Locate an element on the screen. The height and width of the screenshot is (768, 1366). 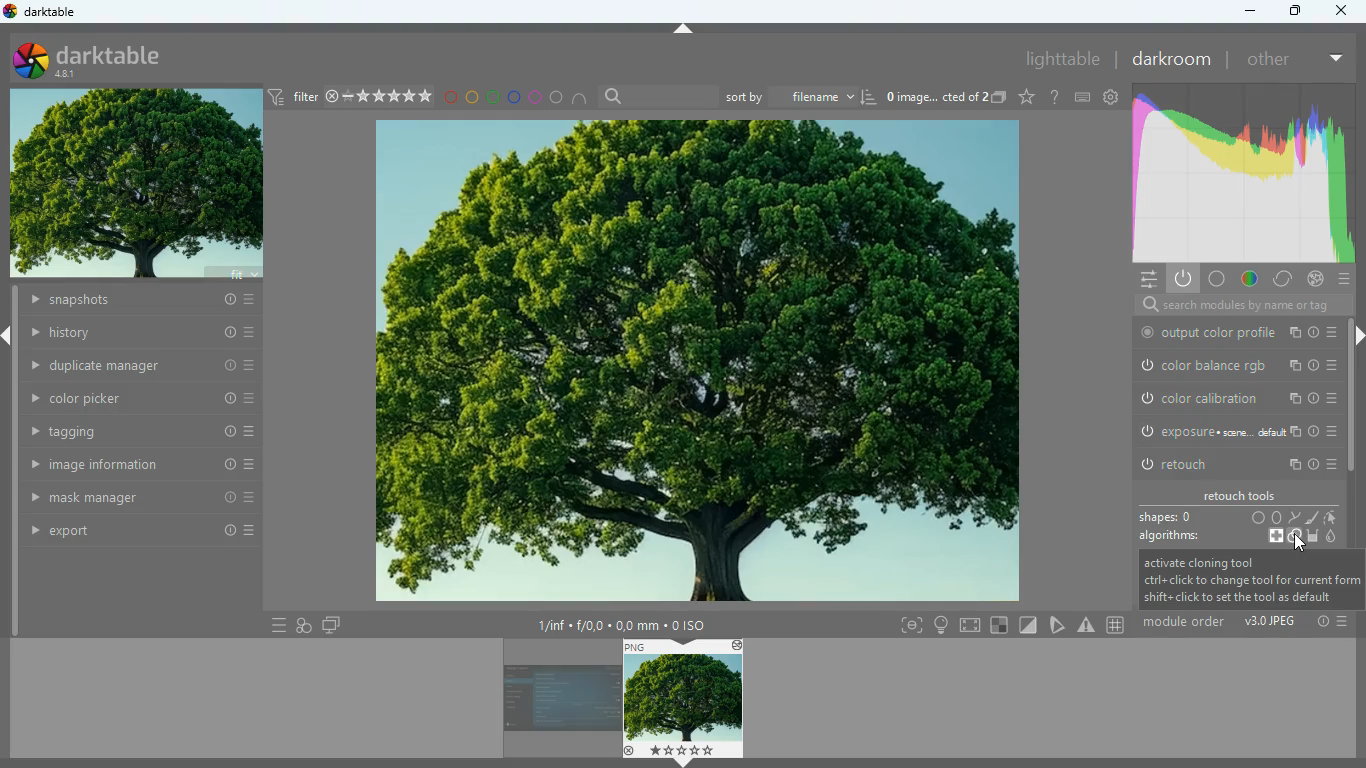
effect is located at coordinates (1313, 278).